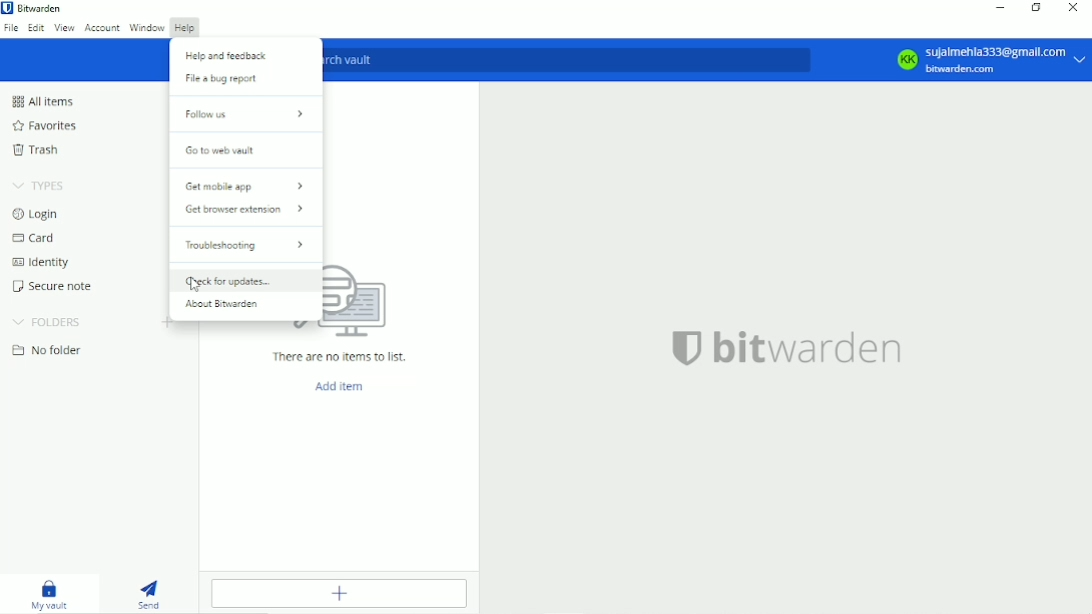  I want to click on Account, so click(102, 29).